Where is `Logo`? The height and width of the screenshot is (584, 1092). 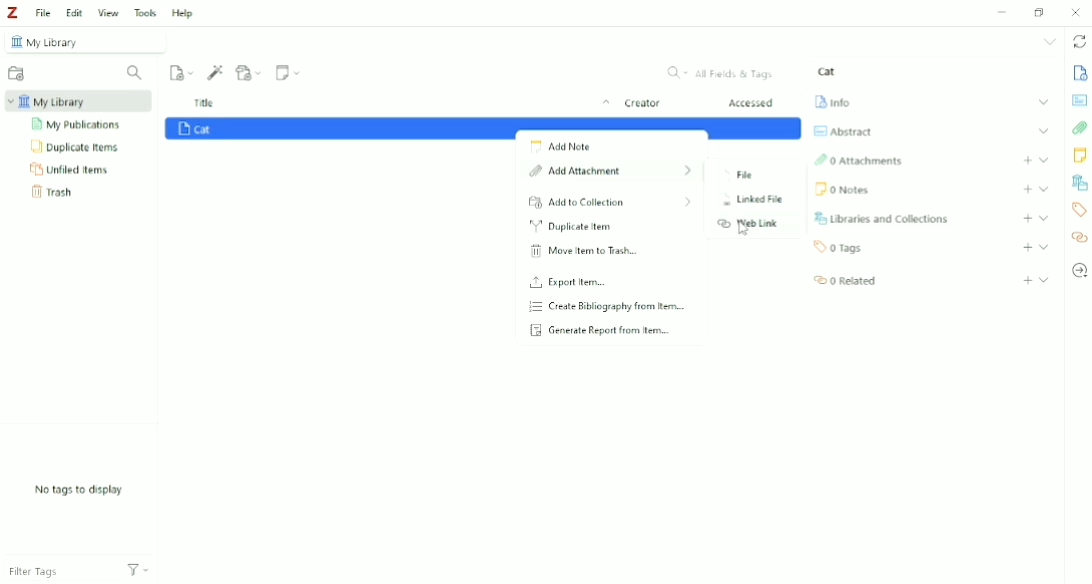 Logo is located at coordinates (12, 12).